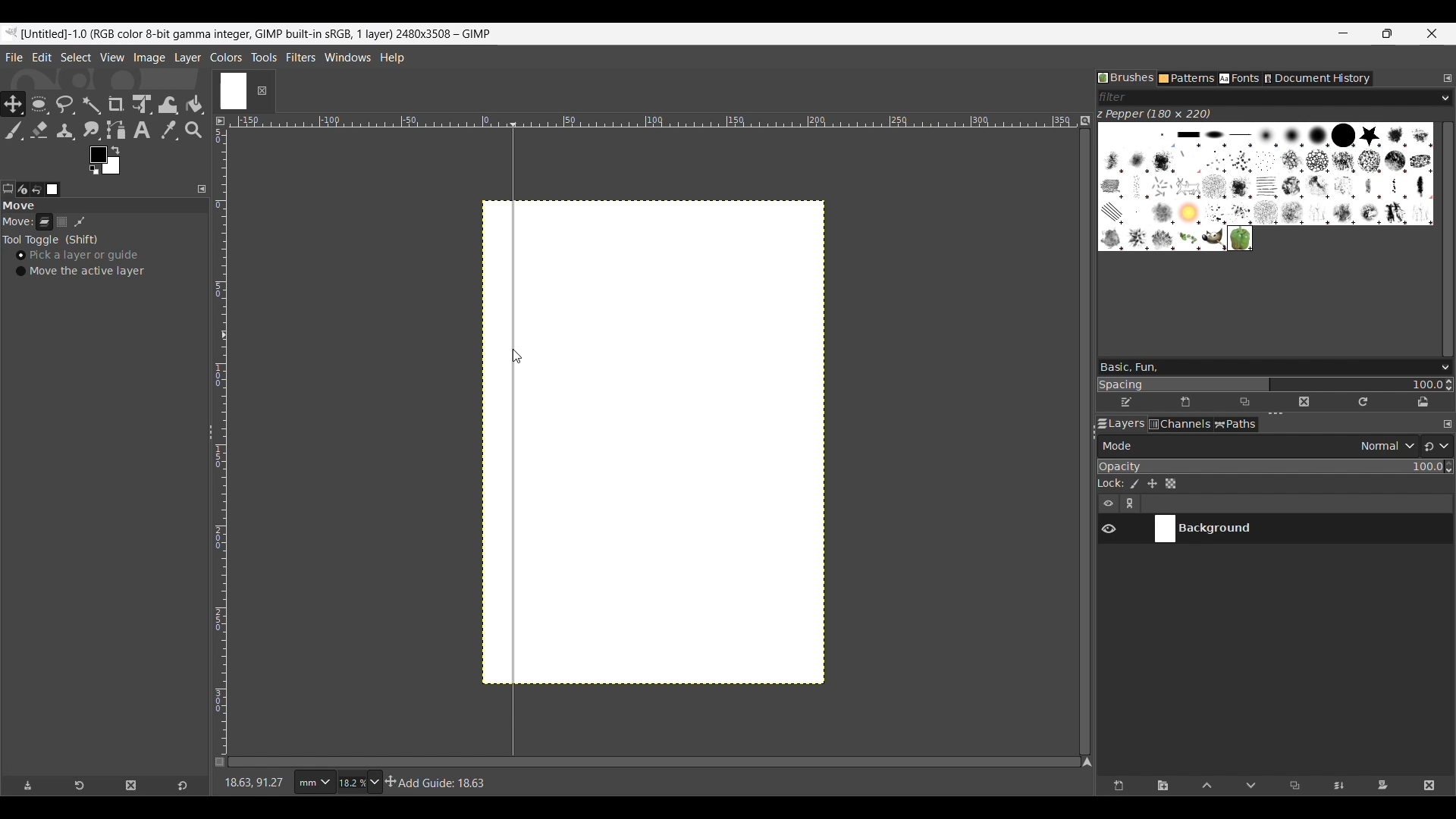 Image resolution: width=1456 pixels, height=819 pixels. Describe the element at coordinates (102, 209) in the screenshot. I see `Section title` at that location.